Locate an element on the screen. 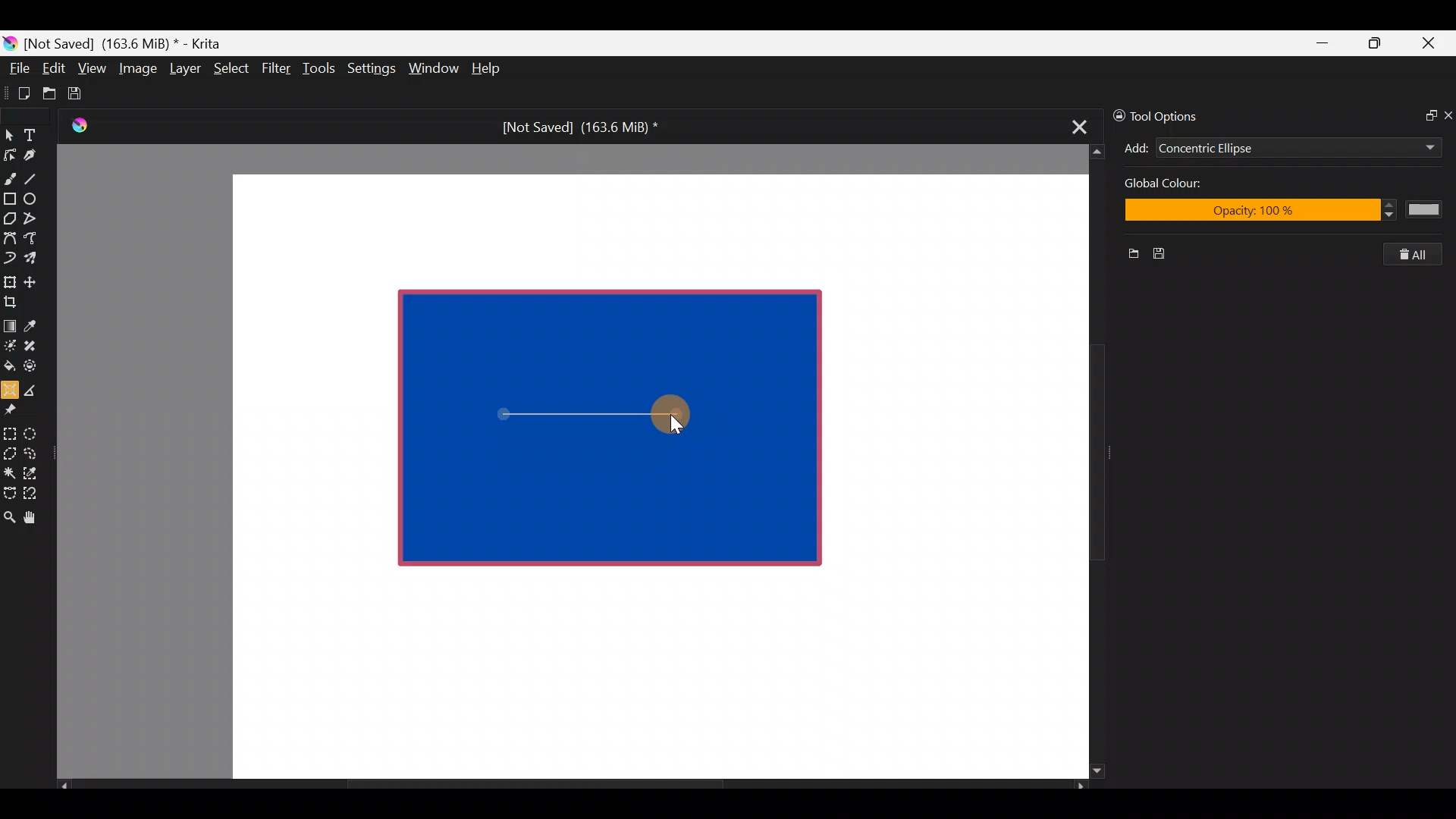  Bezier curve tool is located at coordinates (9, 240).